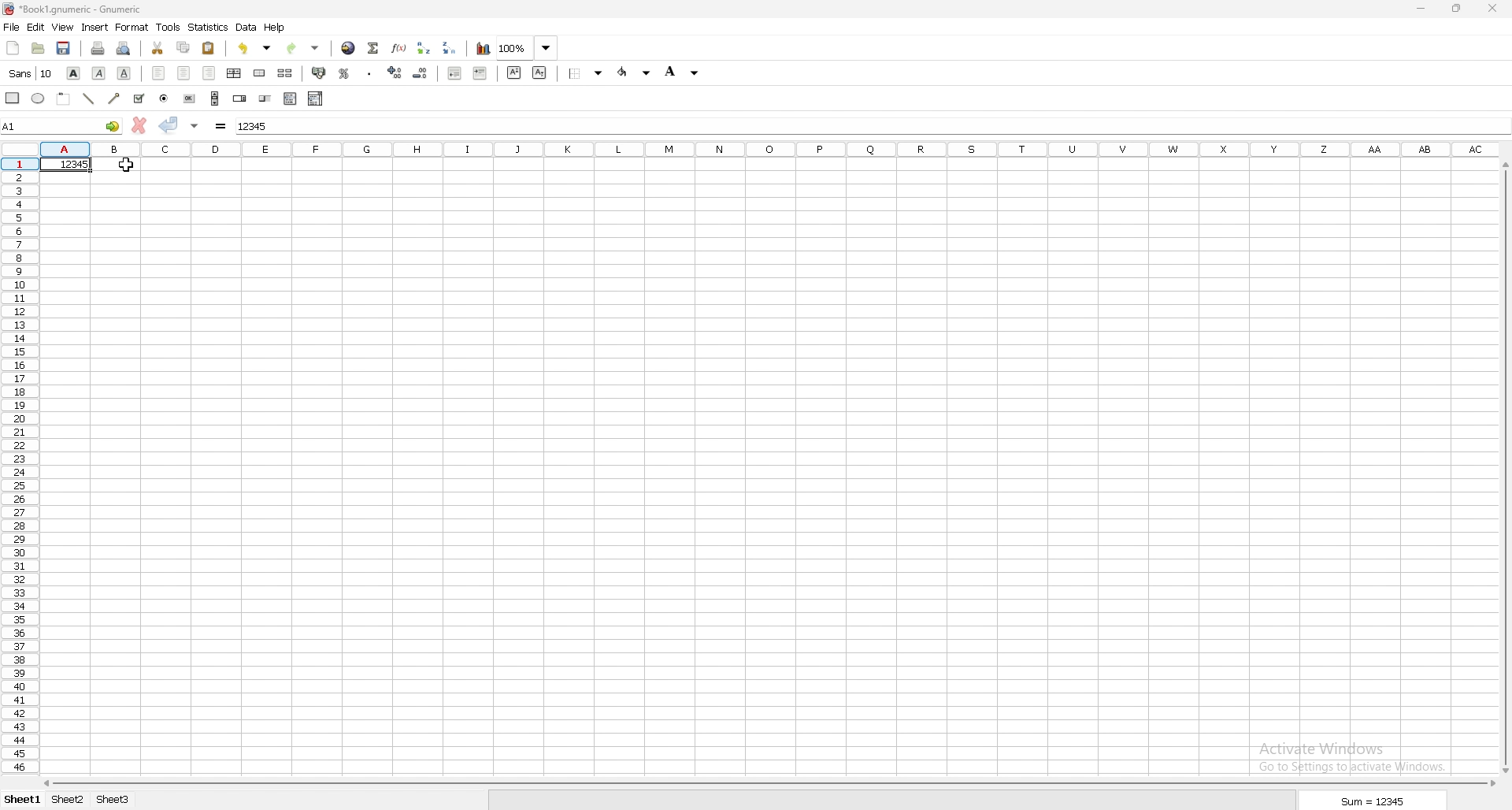 This screenshot has width=1512, height=810. Describe the element at coordinates (124, 74) in the screenshot. I see `underline` at that location.